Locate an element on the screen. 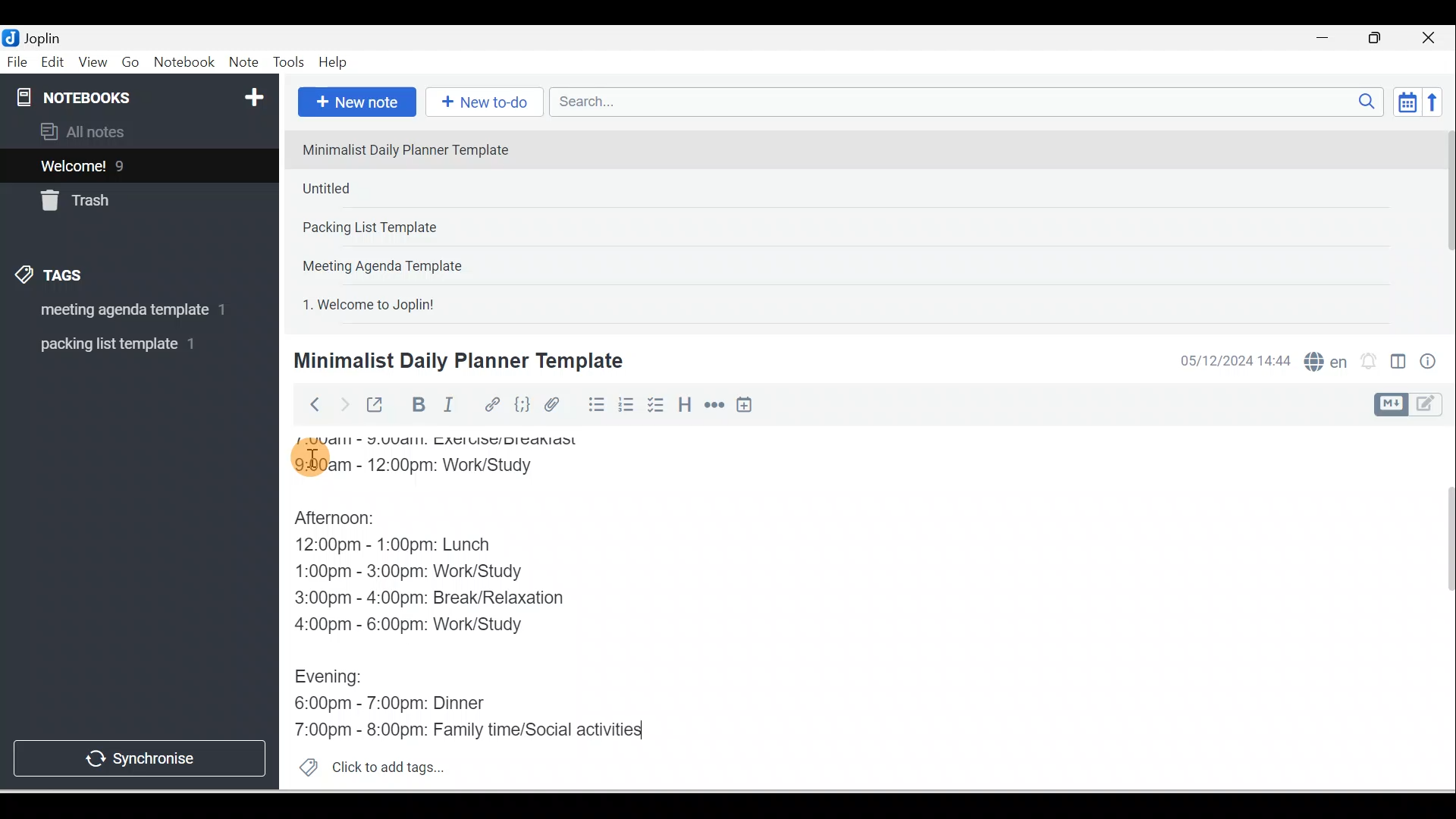  Trash is located at coordinates (111, 196).